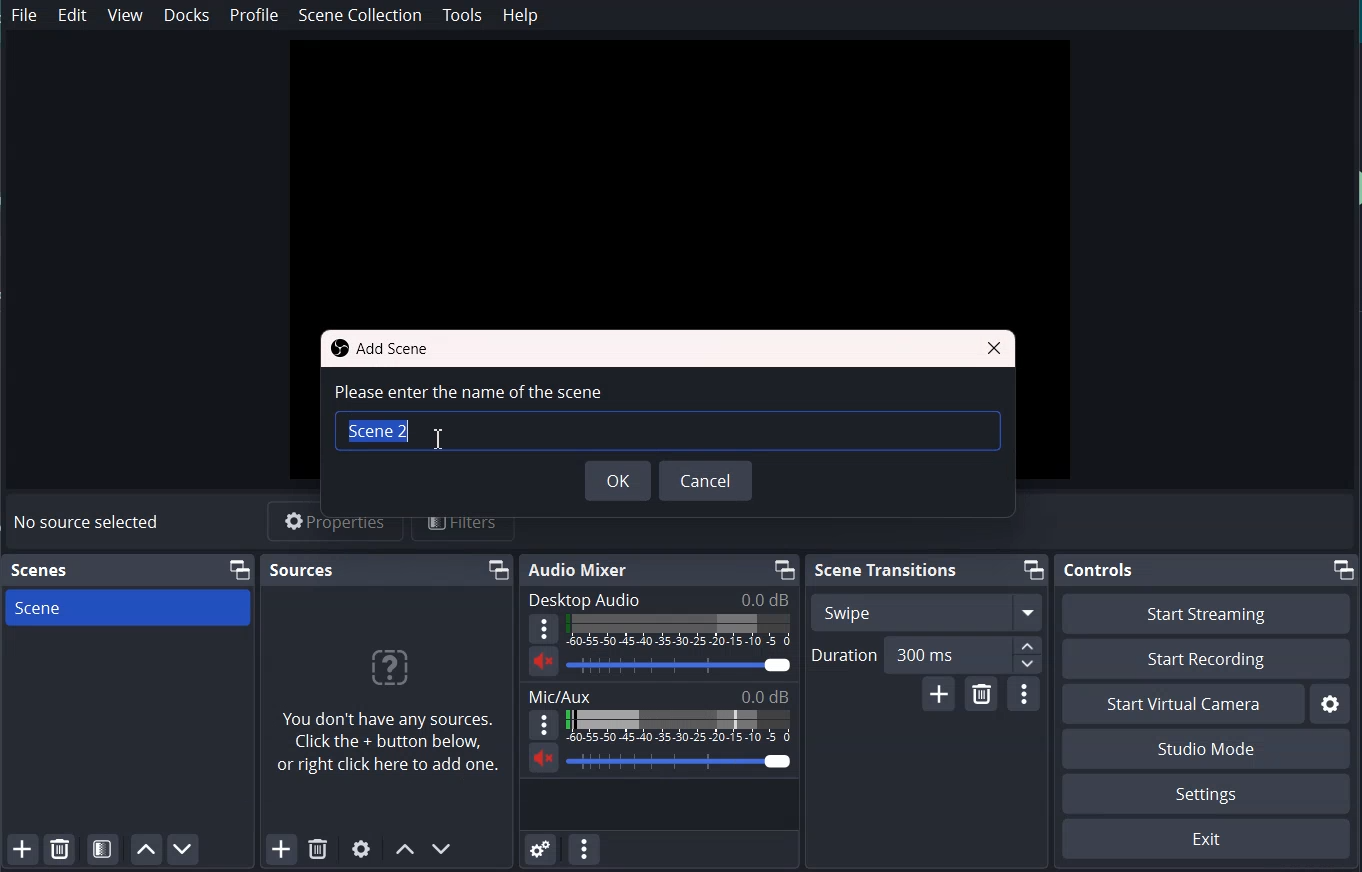 The width and height of the screenshot is (1362, 872). I want to click on You don't have any sources.
Click the + button below,
or right click here to add one., so click(390, 748).